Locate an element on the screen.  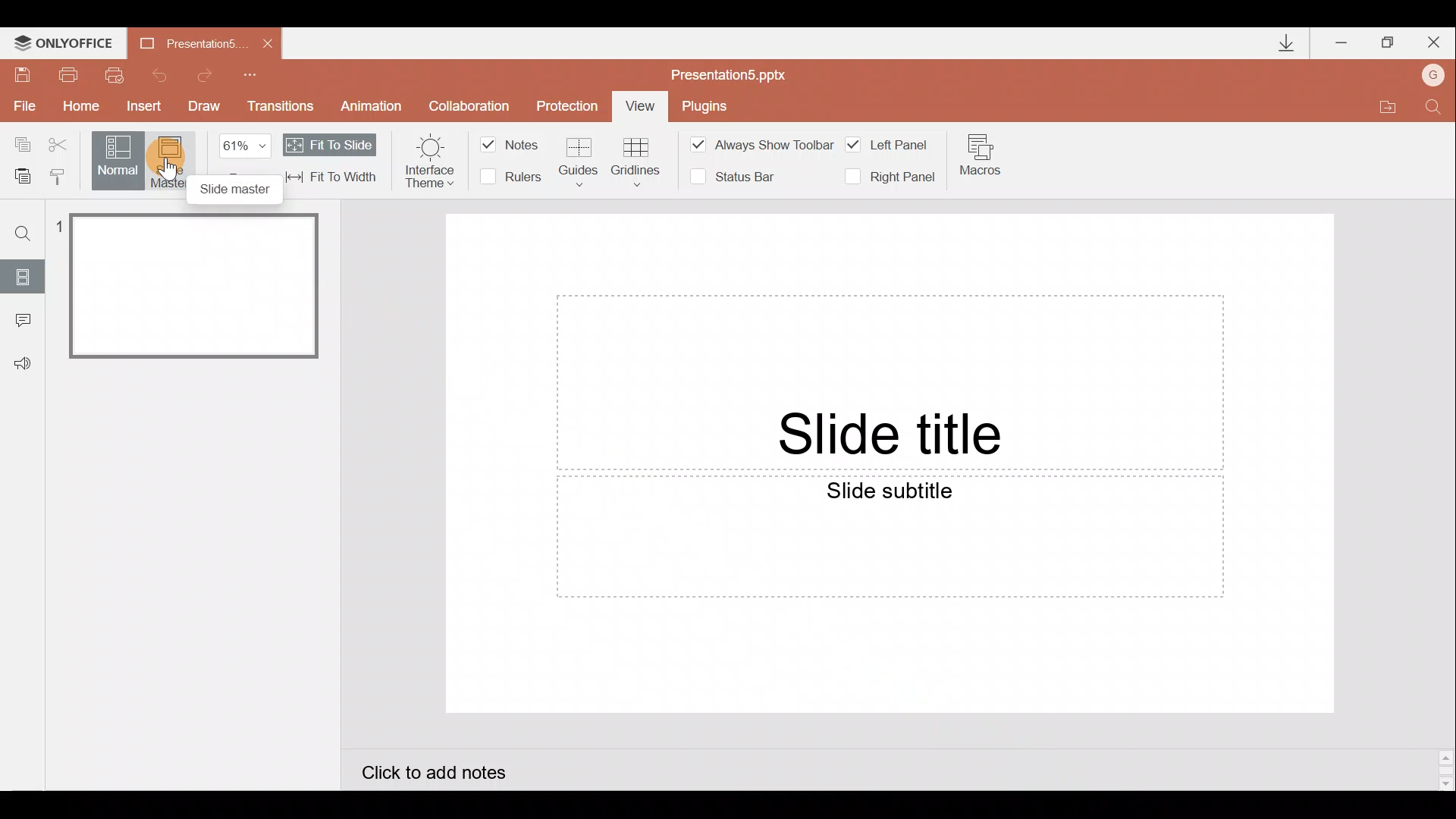
File is located at coordinates (22, 105).